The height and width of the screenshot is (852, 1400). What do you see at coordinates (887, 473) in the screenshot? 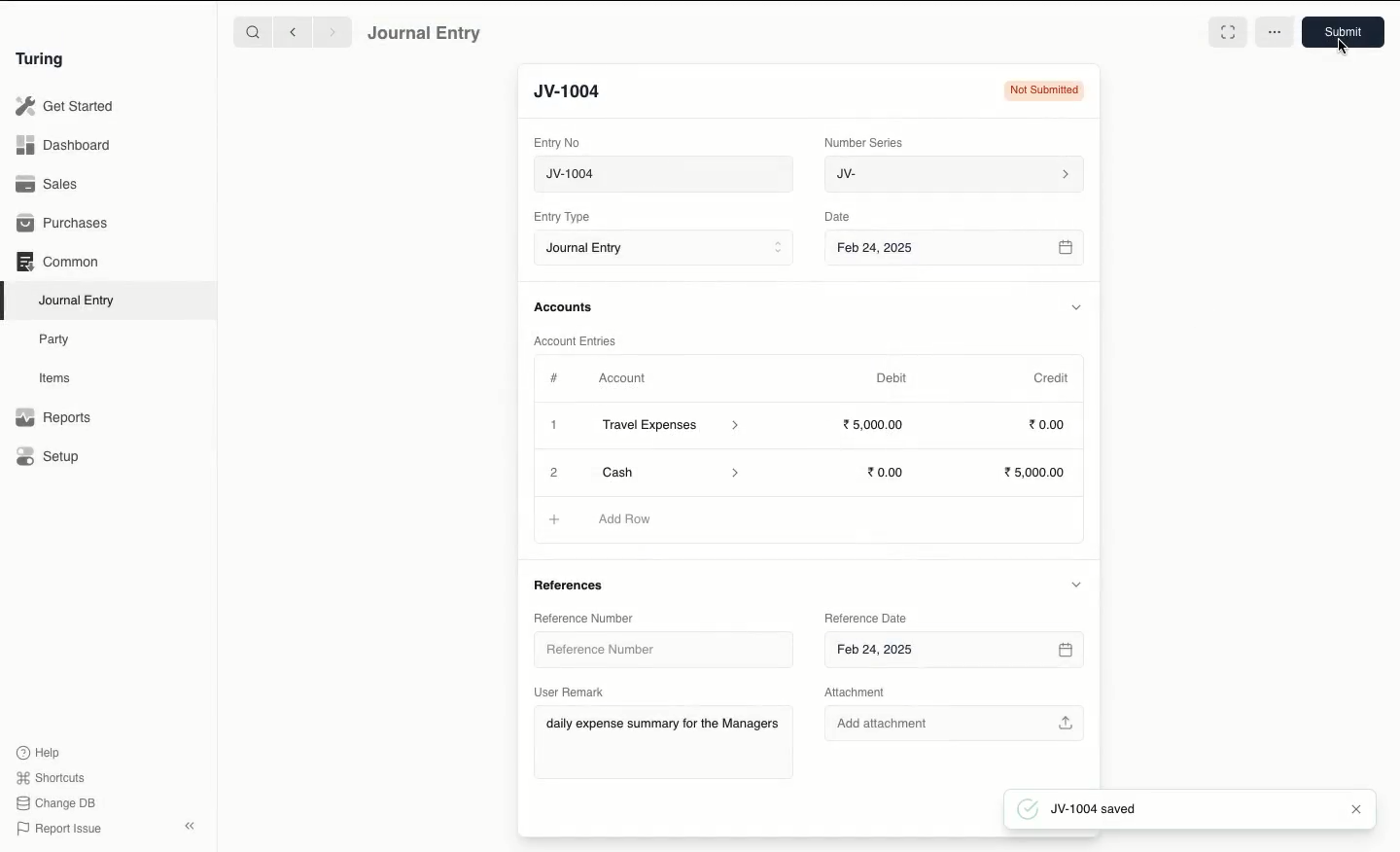
I see `0.00` at bounding box center [887, 473].